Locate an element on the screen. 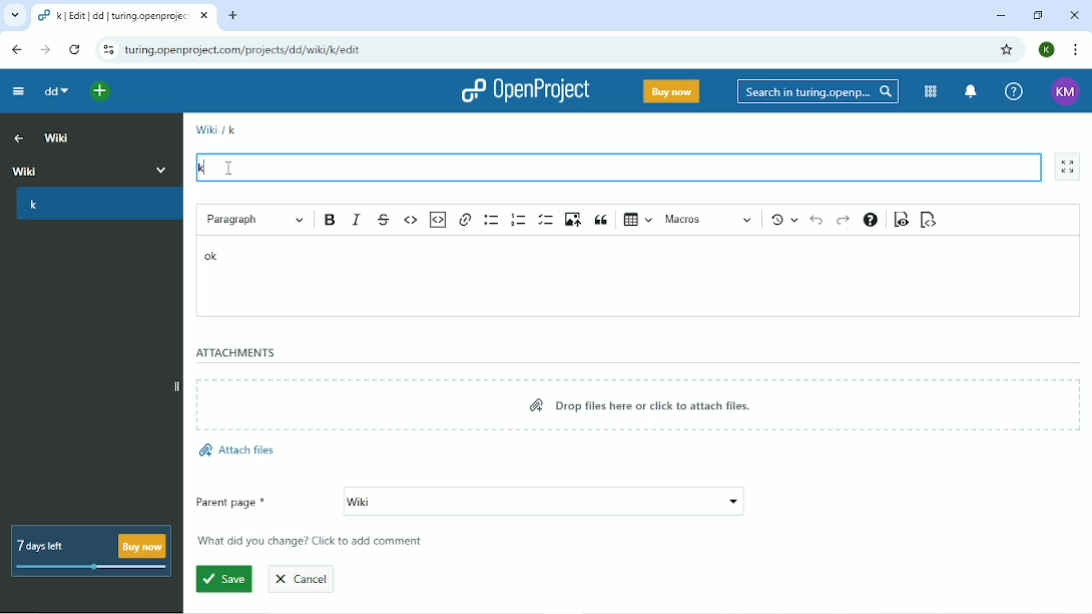  ok is located at coordinates (213, 256).